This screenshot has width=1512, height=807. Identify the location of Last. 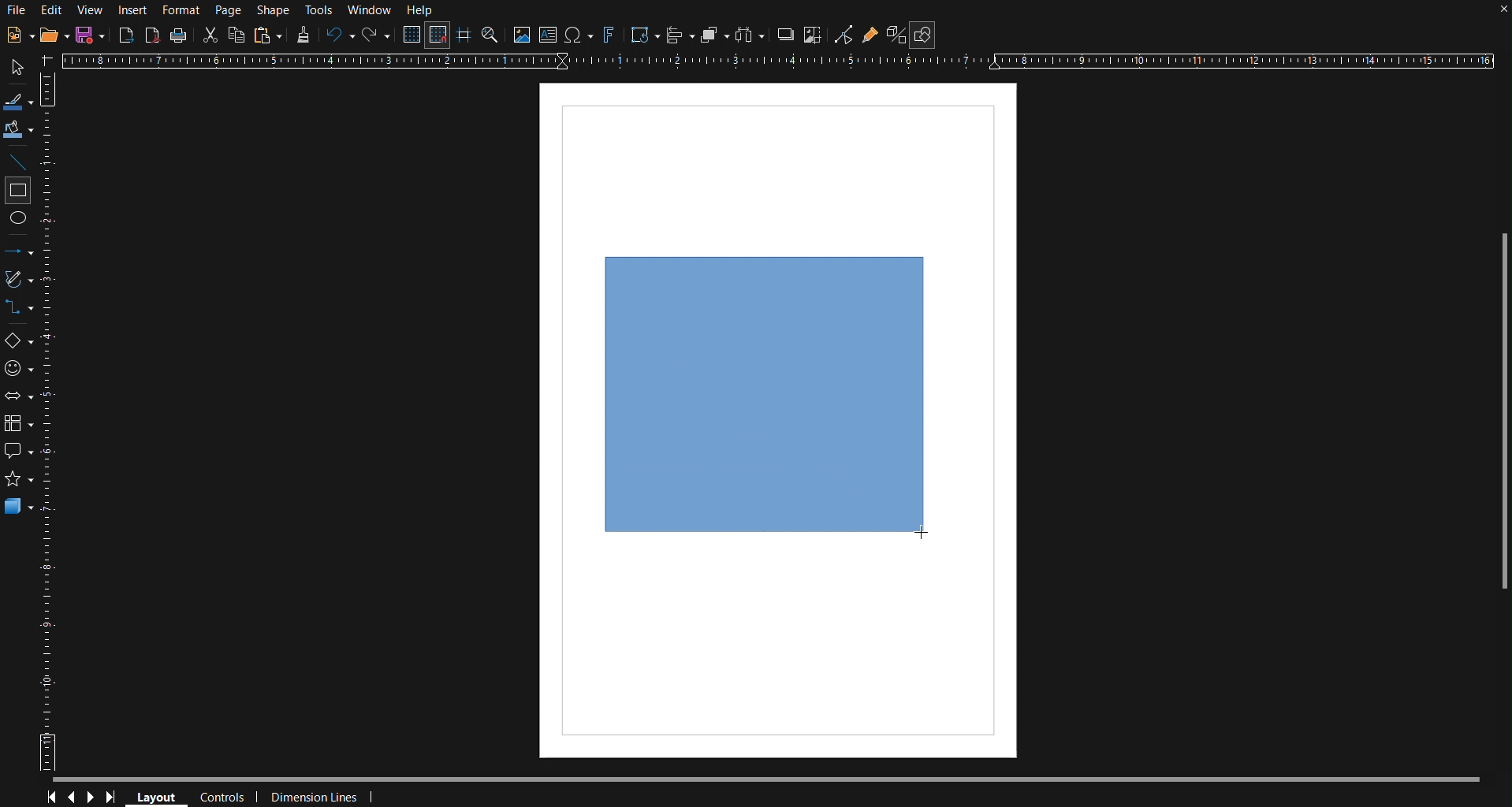
(115, 798).